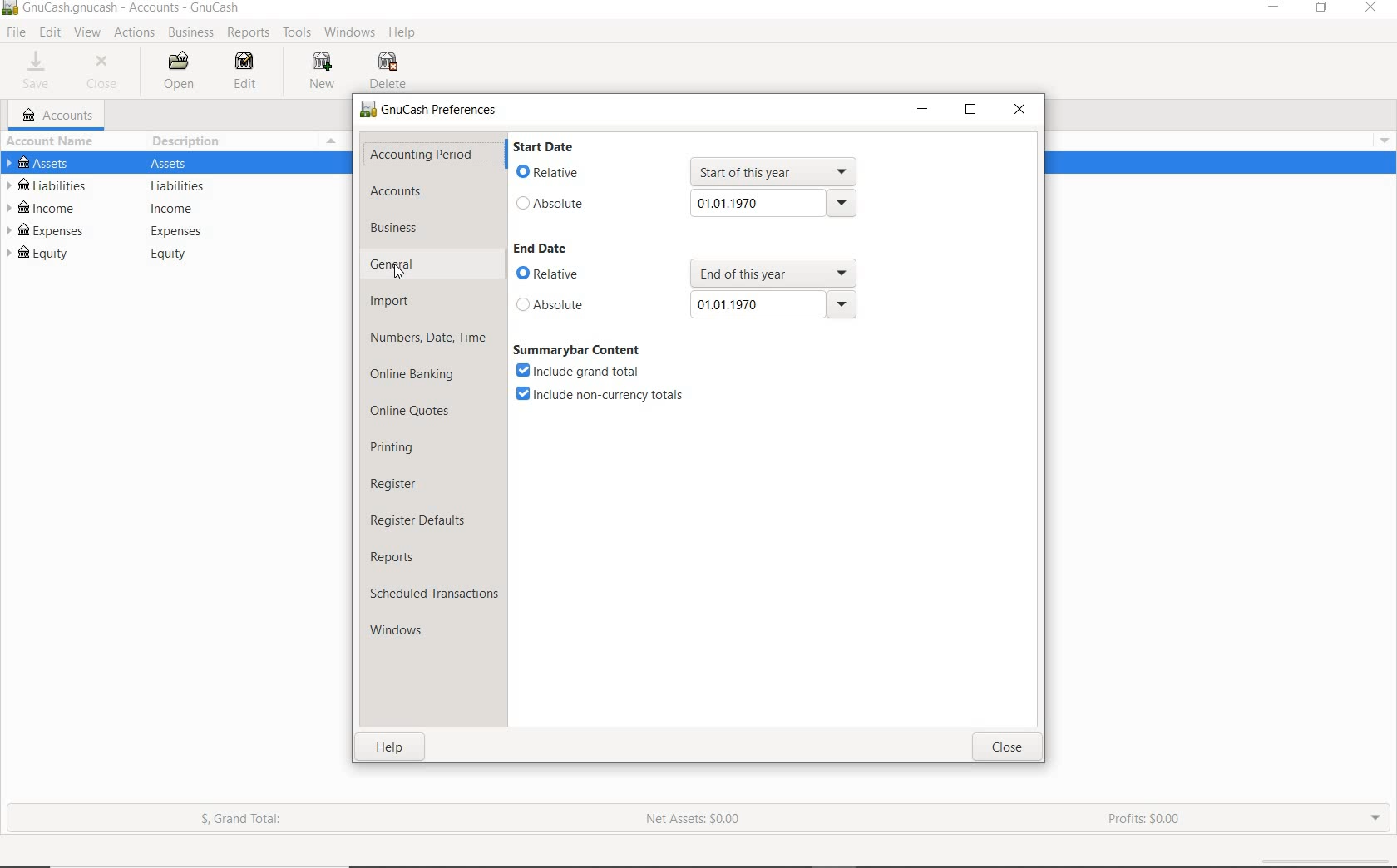 The height and width of the screenshot is (868, 1397). I want to click on ASSETS, so click(165, 165).